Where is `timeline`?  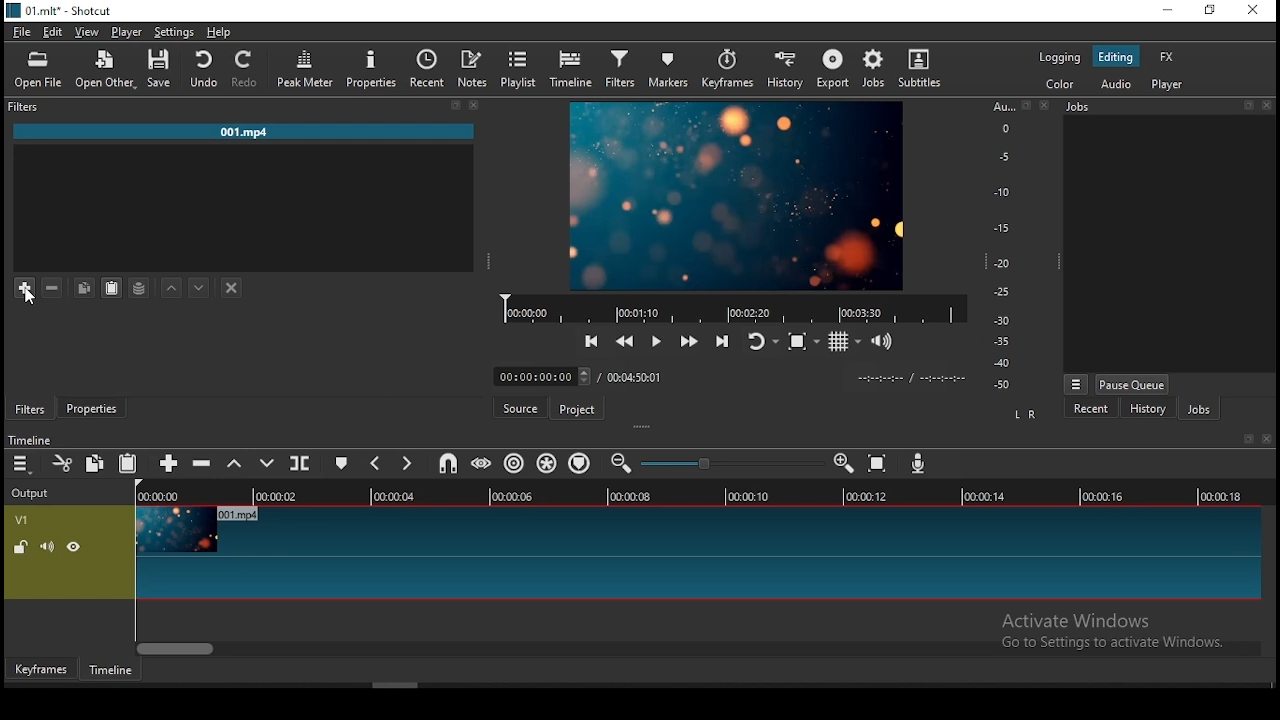 timeline is located at coordinates (571, 68).